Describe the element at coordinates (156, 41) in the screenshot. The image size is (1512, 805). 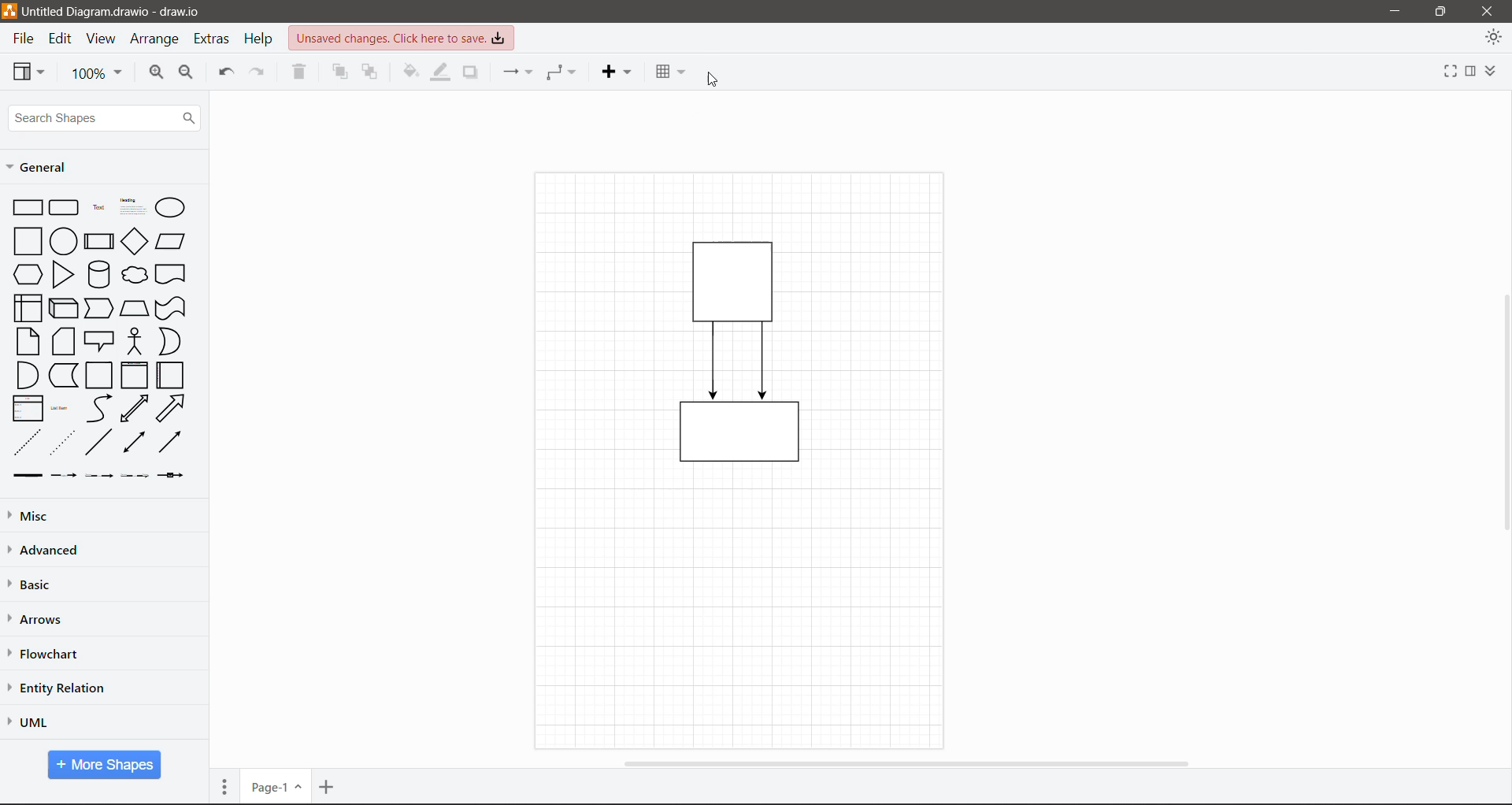
I see `Arrange` at that location.